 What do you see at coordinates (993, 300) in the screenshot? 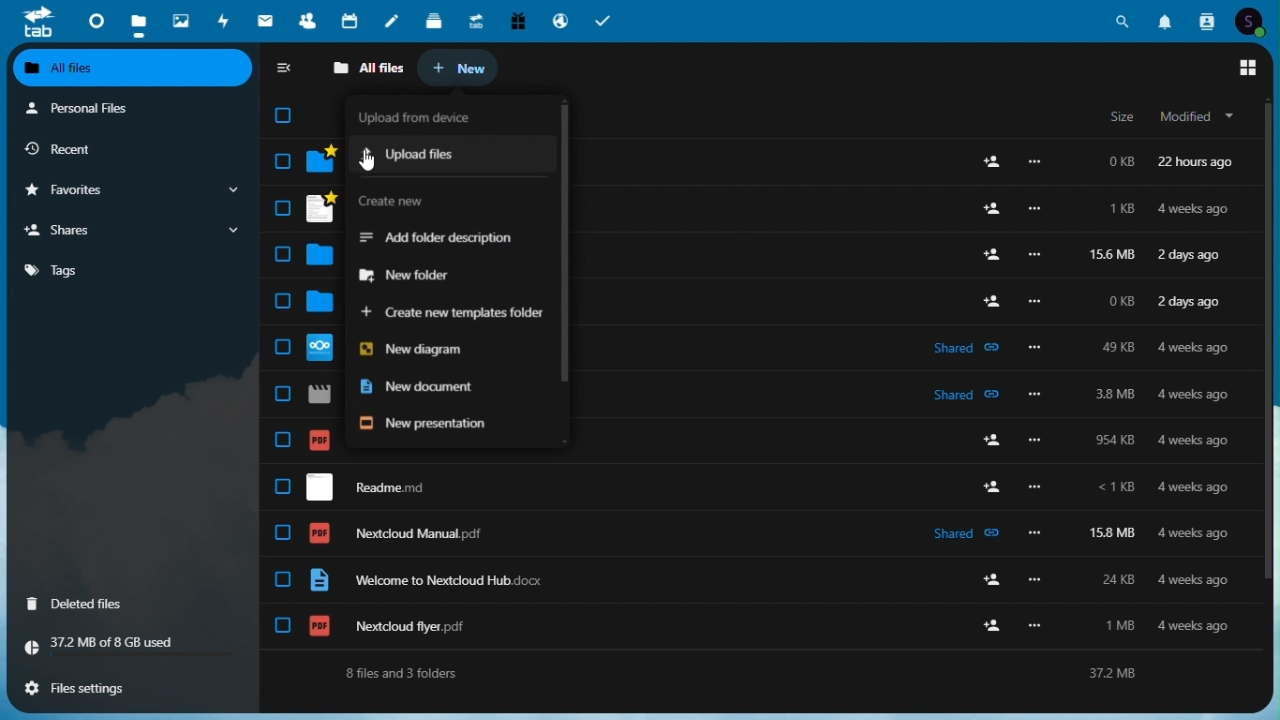
I see `add user` at bounding box center [993, 300].